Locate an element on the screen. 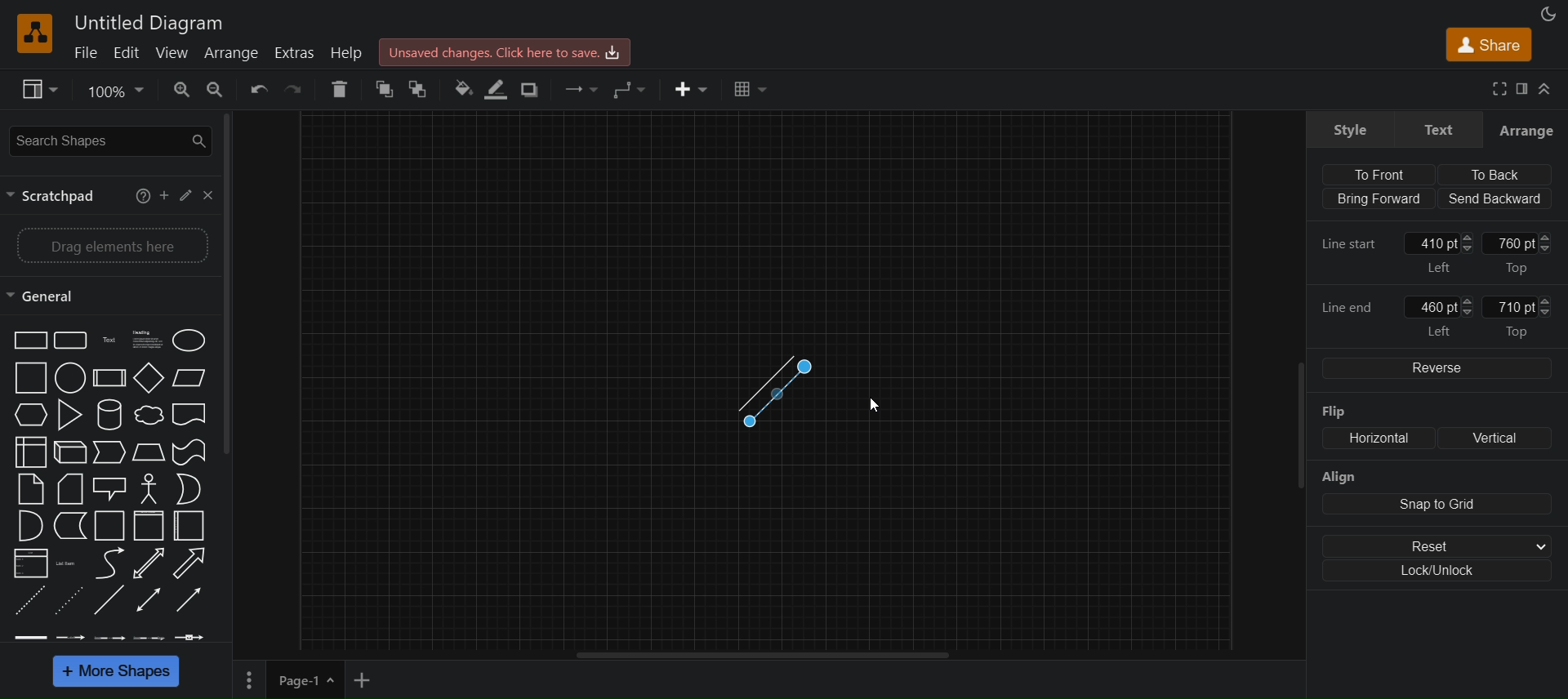 The width and height of the screenshot is (1568, 699). more shapes is located at coordinates (116, 672).